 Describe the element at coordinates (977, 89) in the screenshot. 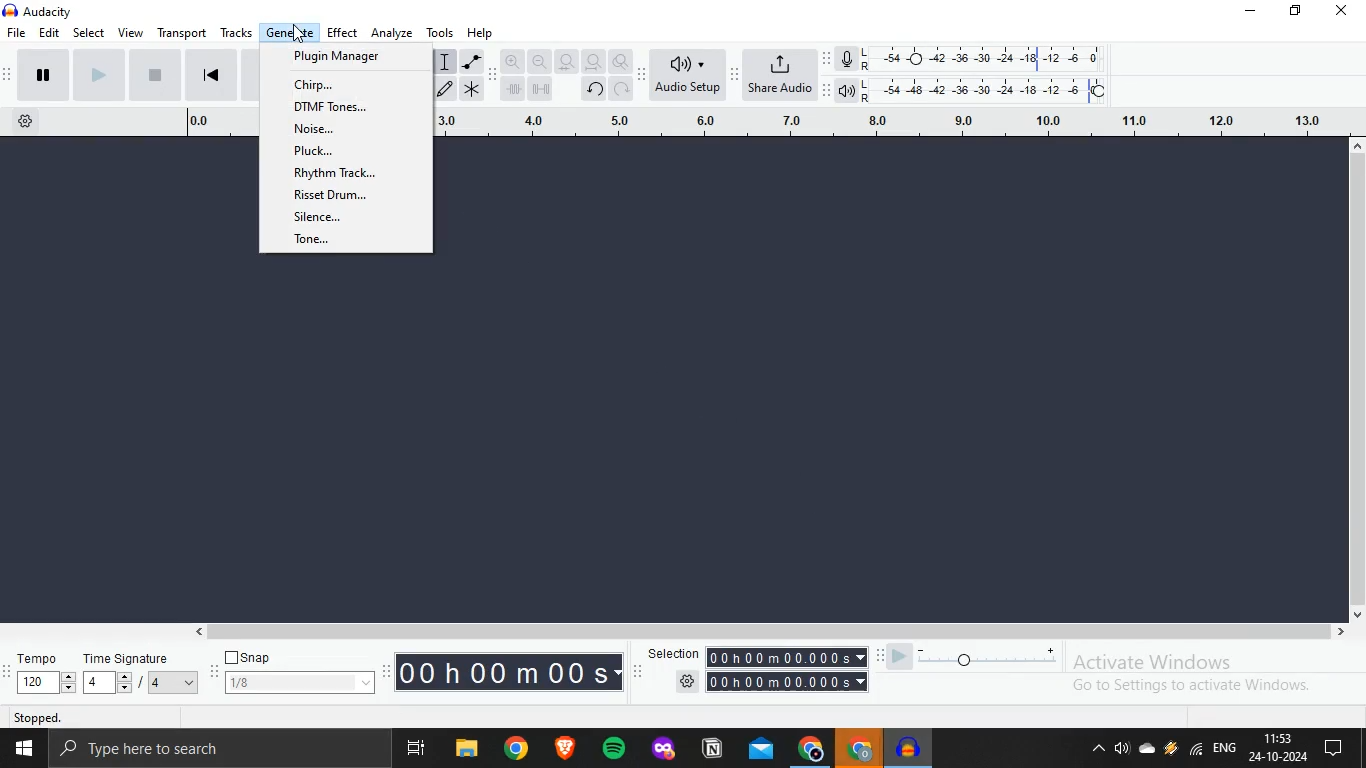

I see `LR Audio` at that location.